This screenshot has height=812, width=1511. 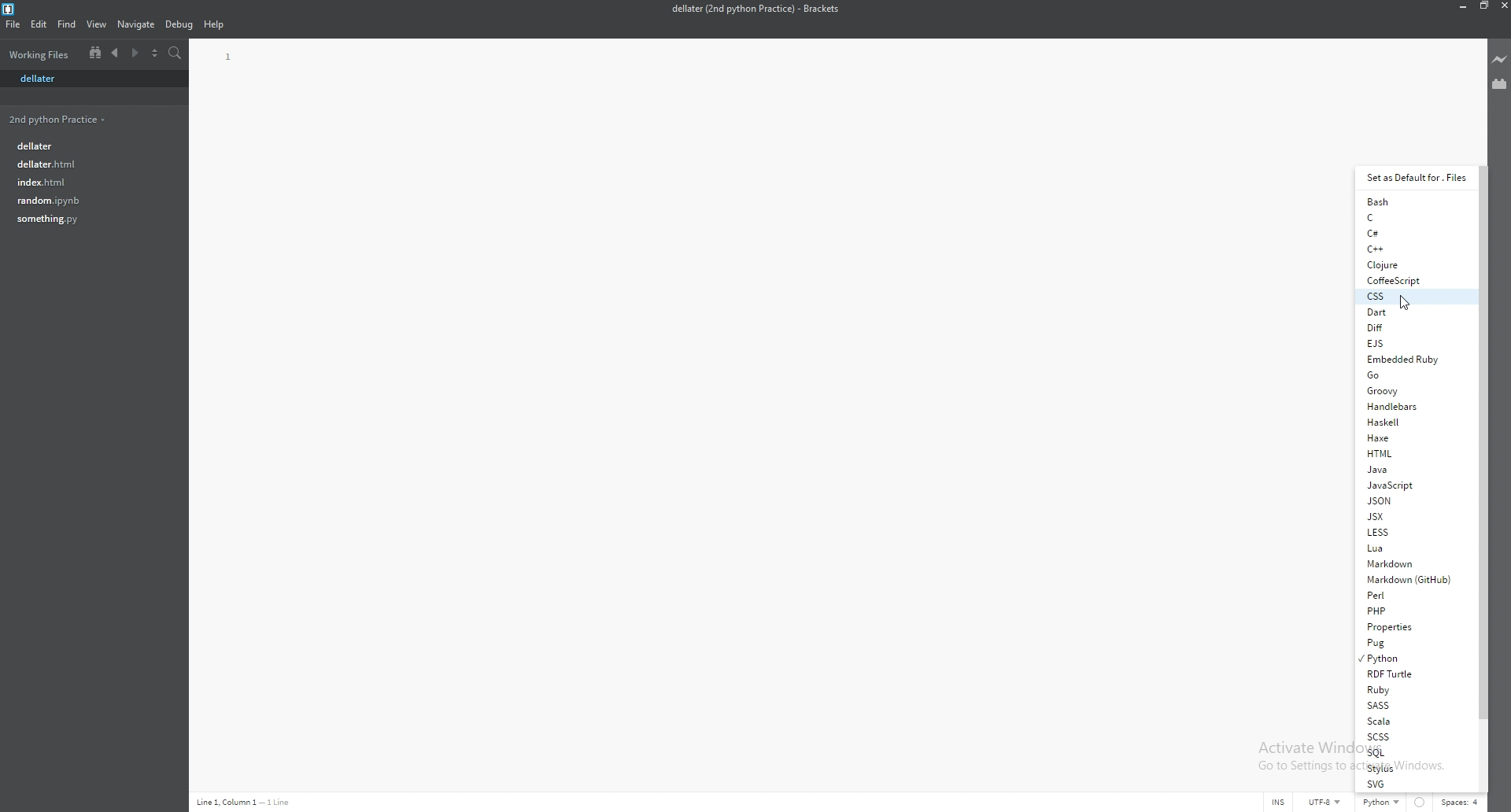 What do you see at coordinates (1413, 406) in the screenshot?
I see `handlebars` at bounding box center [1413, 406].